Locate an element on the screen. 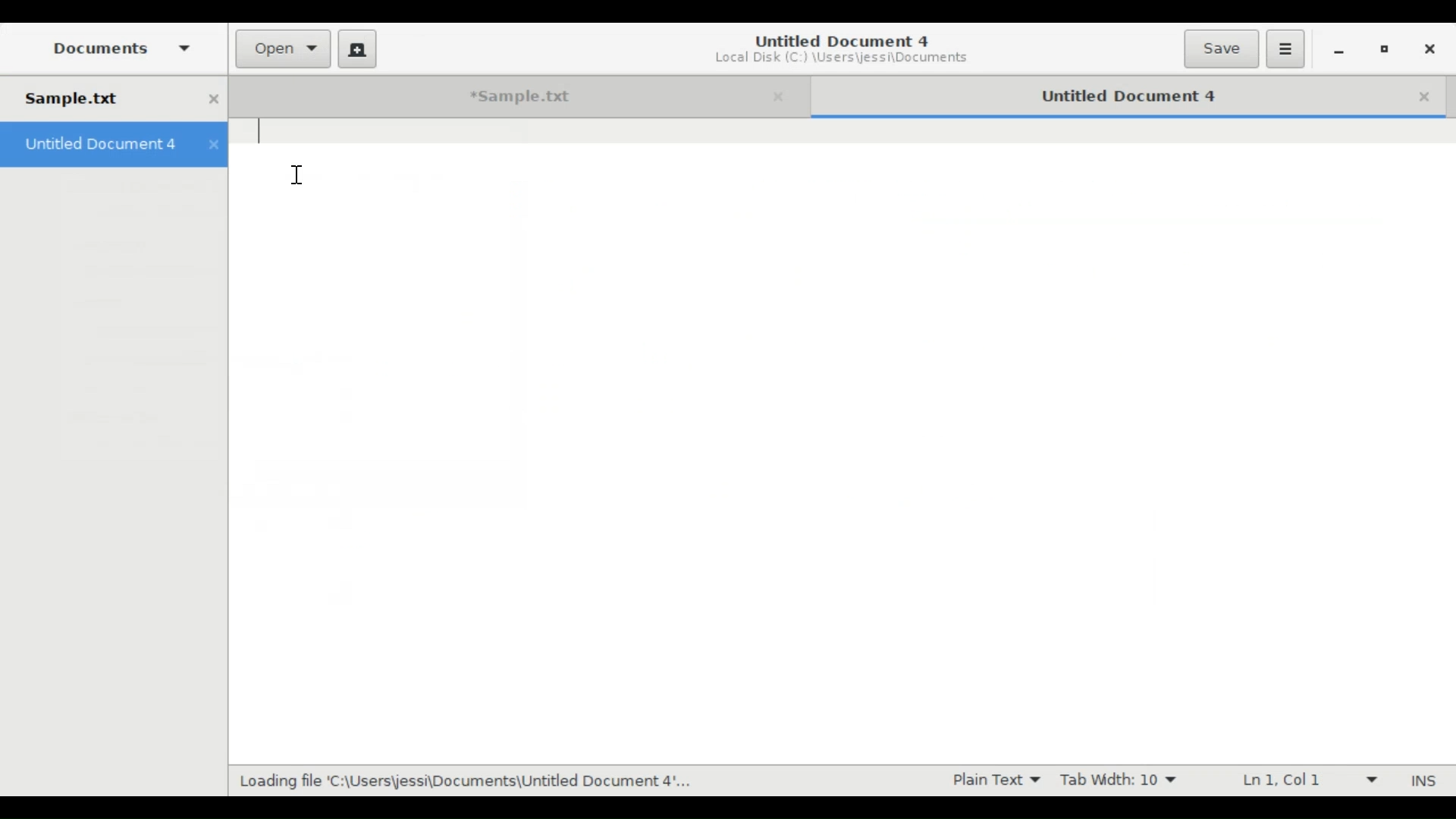  Save is located at coordinates (1221, 49).